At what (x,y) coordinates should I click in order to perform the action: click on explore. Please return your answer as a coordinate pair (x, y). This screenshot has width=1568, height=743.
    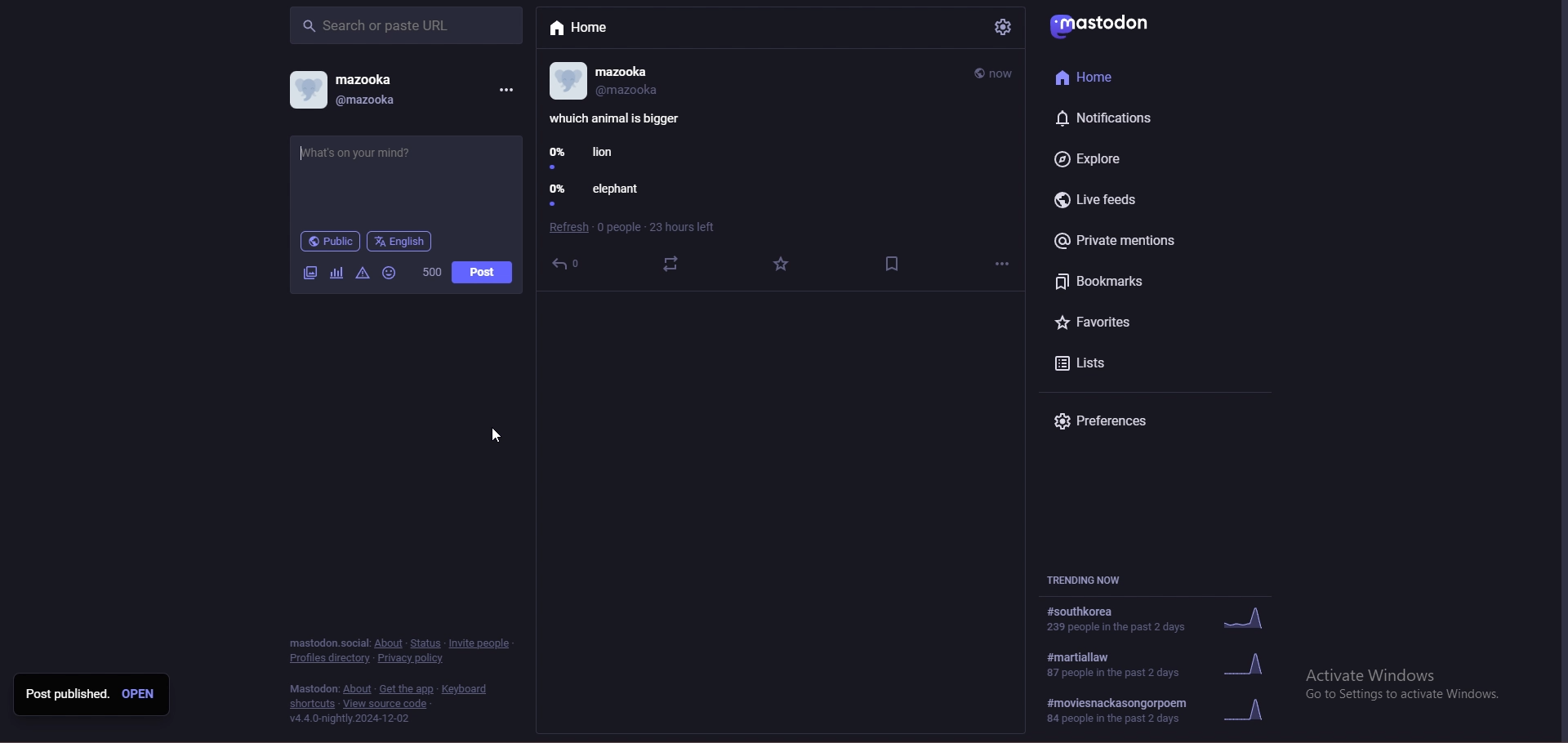
    Looking at the image, I should click on (1111, 158).